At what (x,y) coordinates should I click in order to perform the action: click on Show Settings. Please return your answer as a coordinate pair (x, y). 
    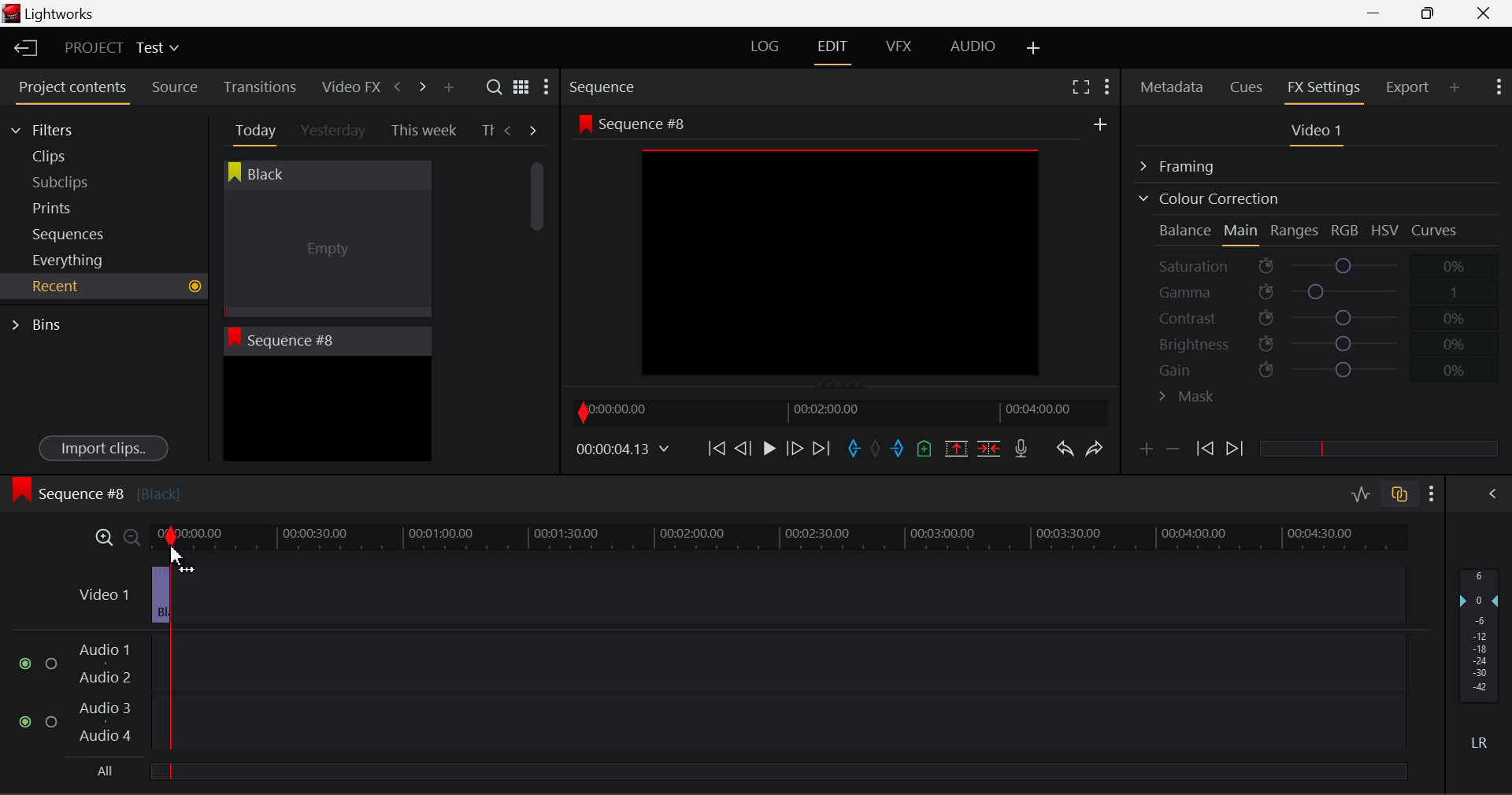
    Looking at the image, I should click on (1106, 84).